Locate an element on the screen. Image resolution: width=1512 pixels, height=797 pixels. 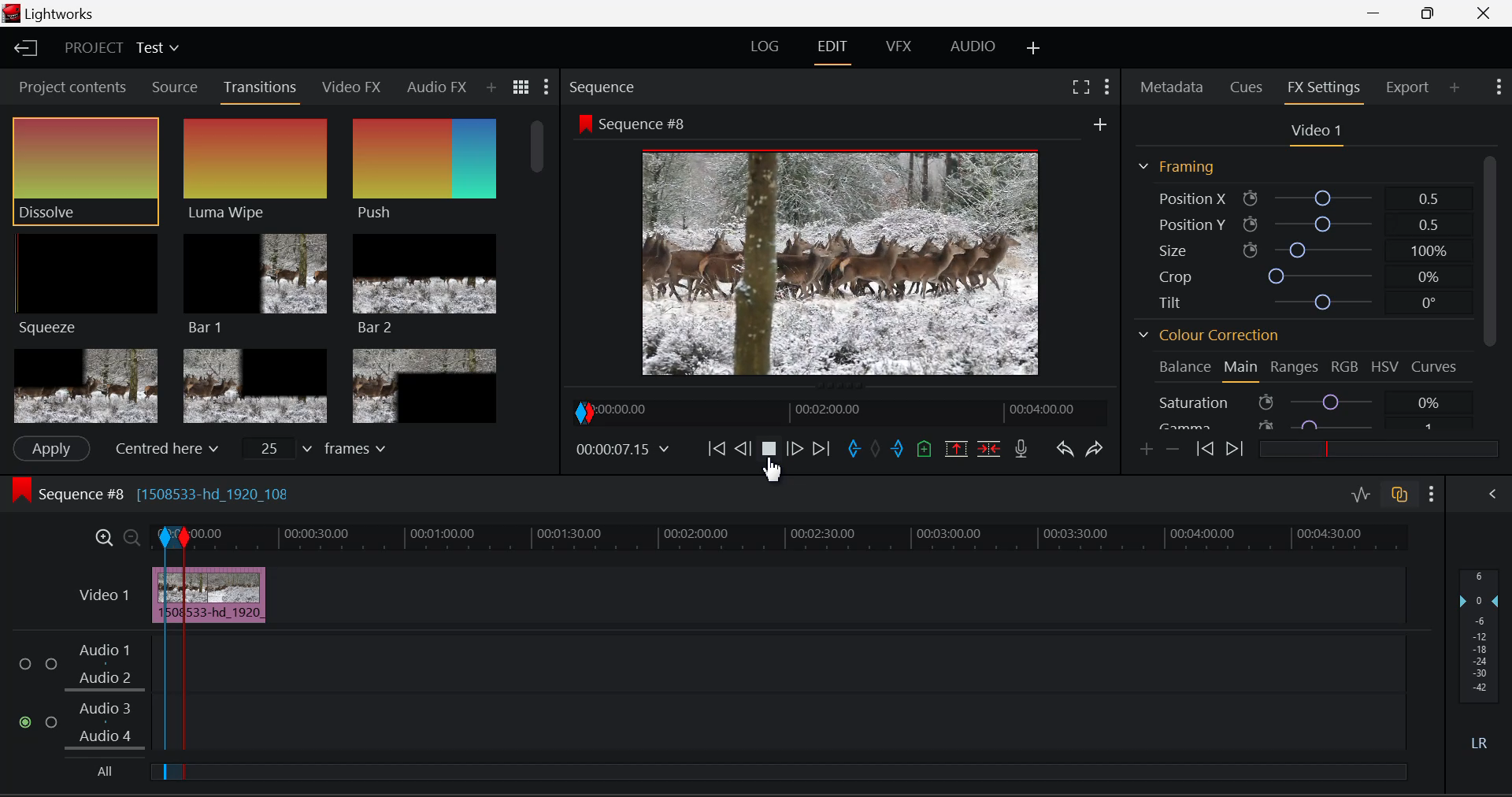
Audio Input Checkbox is located at coordinates (51, 664).